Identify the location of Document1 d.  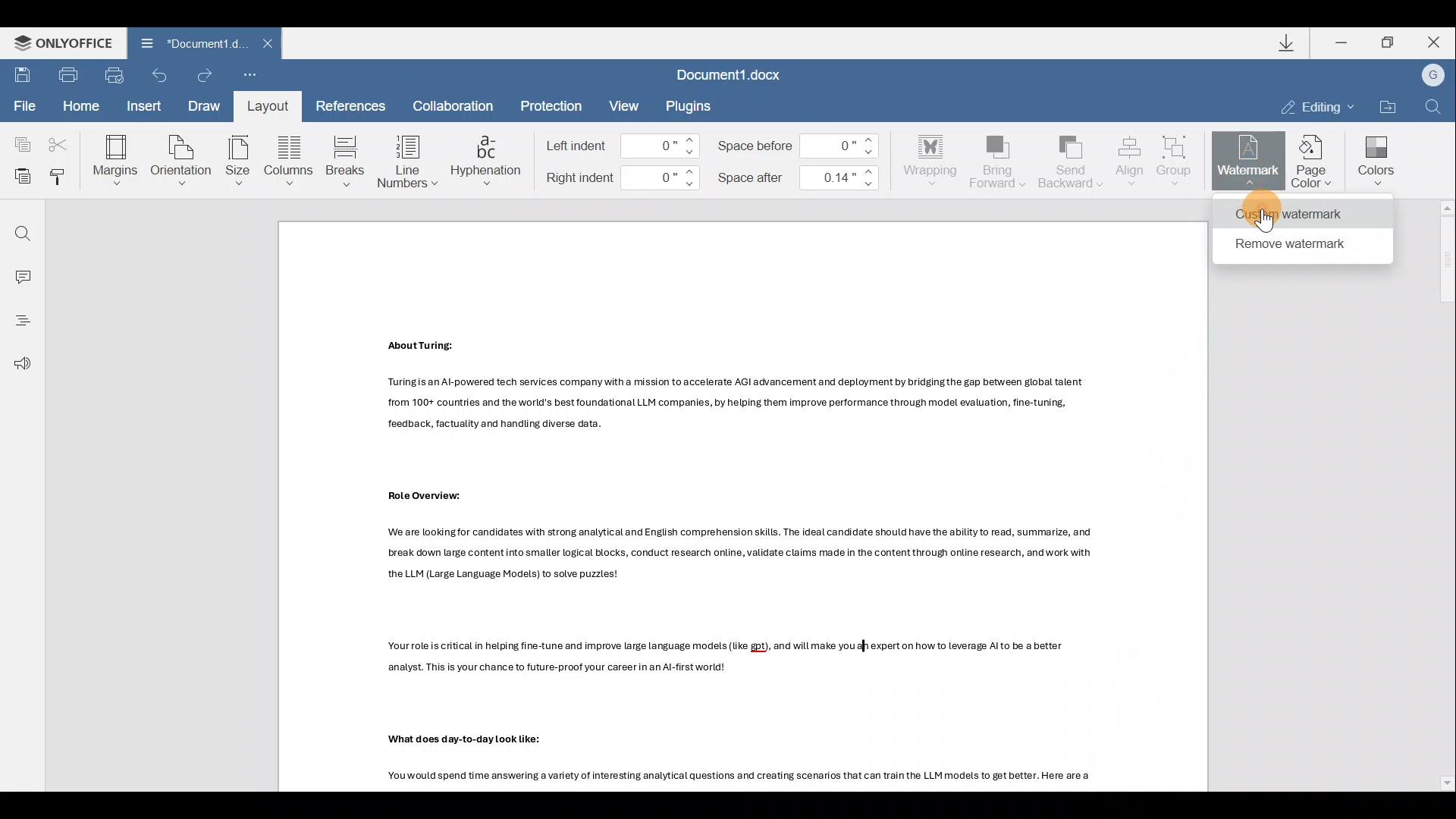
(187, 42).